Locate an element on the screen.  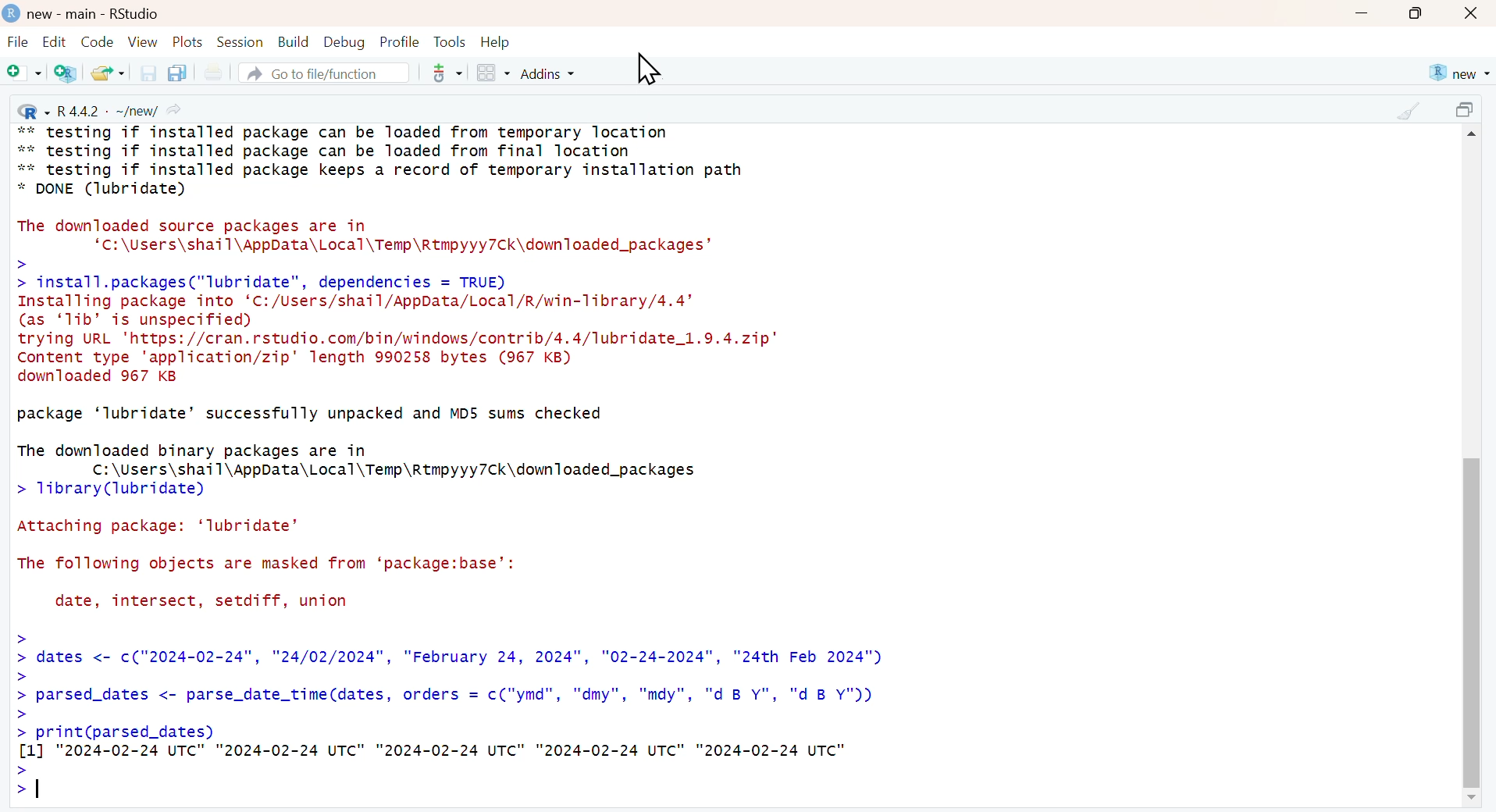
Tools is located at coordinates (450, 41).